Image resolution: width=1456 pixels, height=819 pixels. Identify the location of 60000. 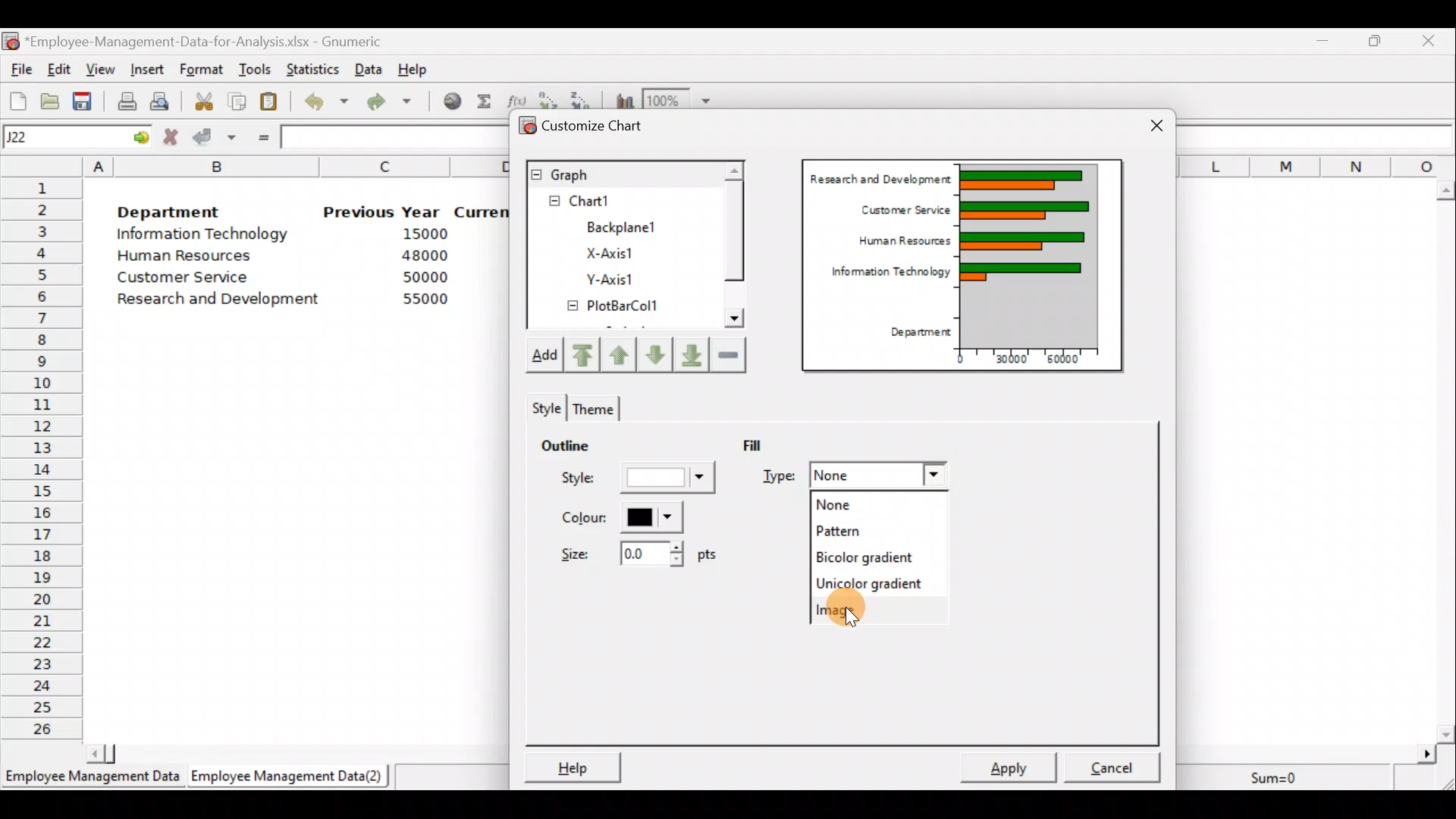
(1057, 362).